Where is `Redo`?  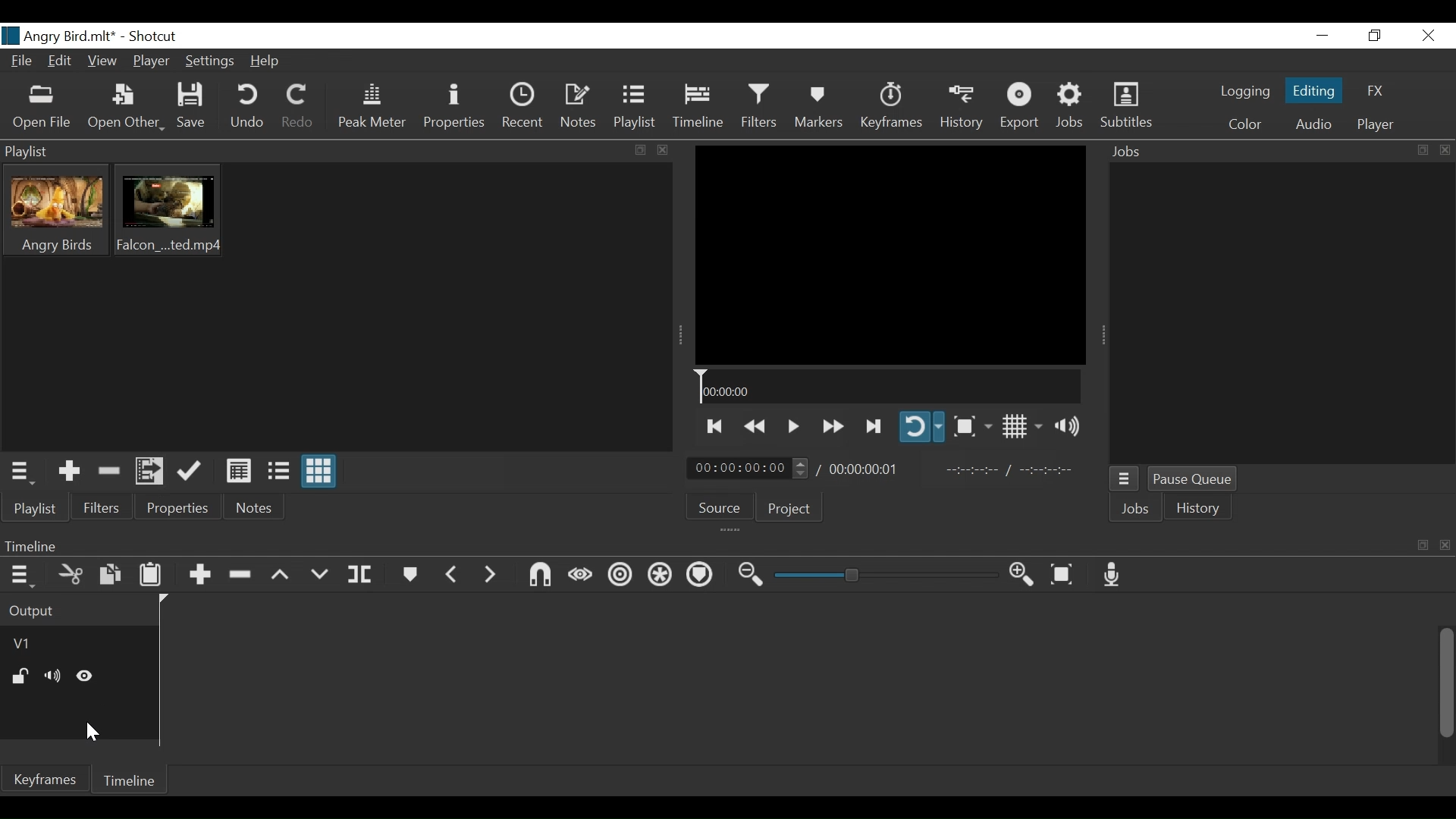 Redo is located at coordinates (298, 108).